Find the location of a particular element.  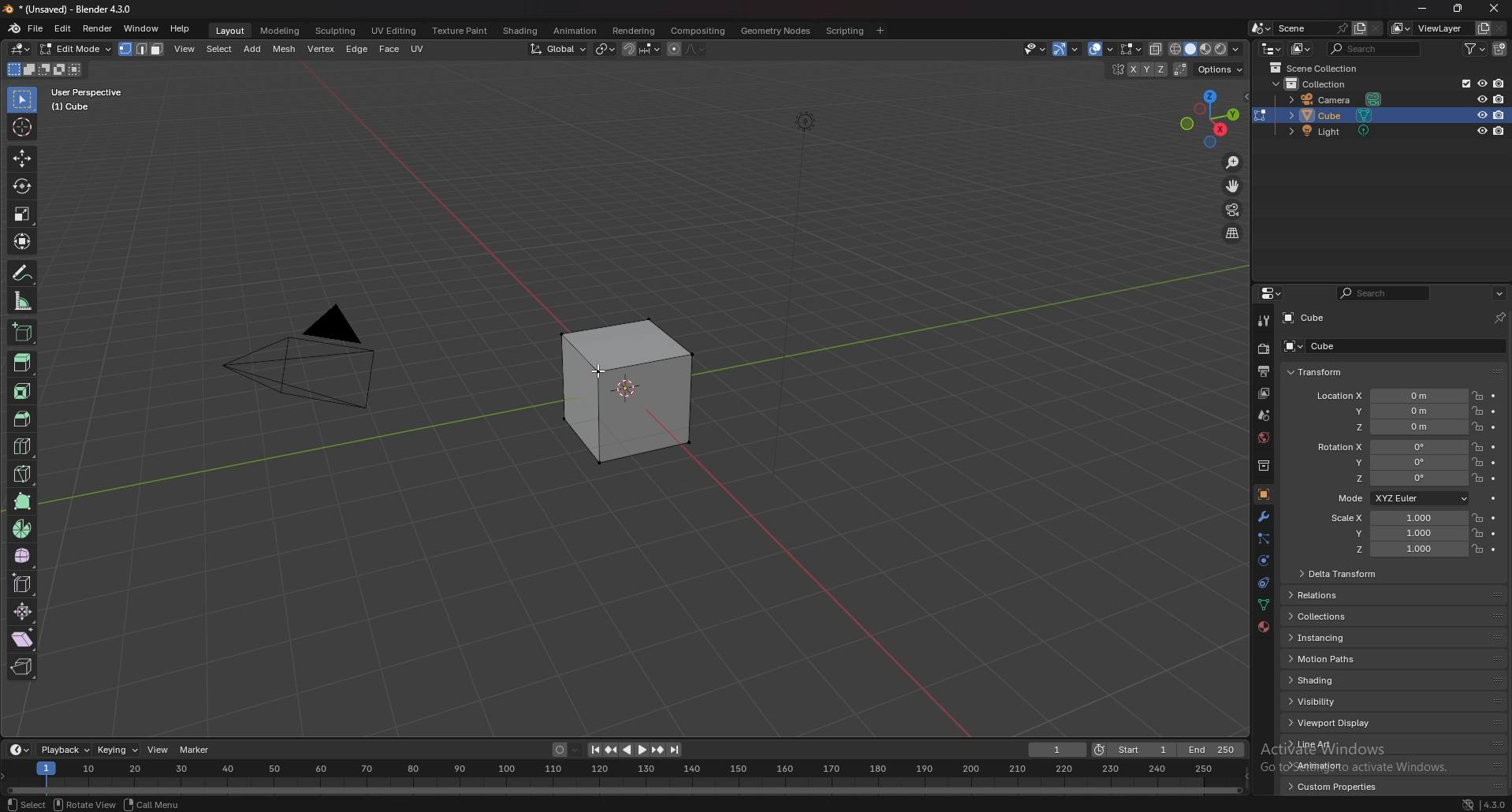

camera is located at coordinates (316, 361).